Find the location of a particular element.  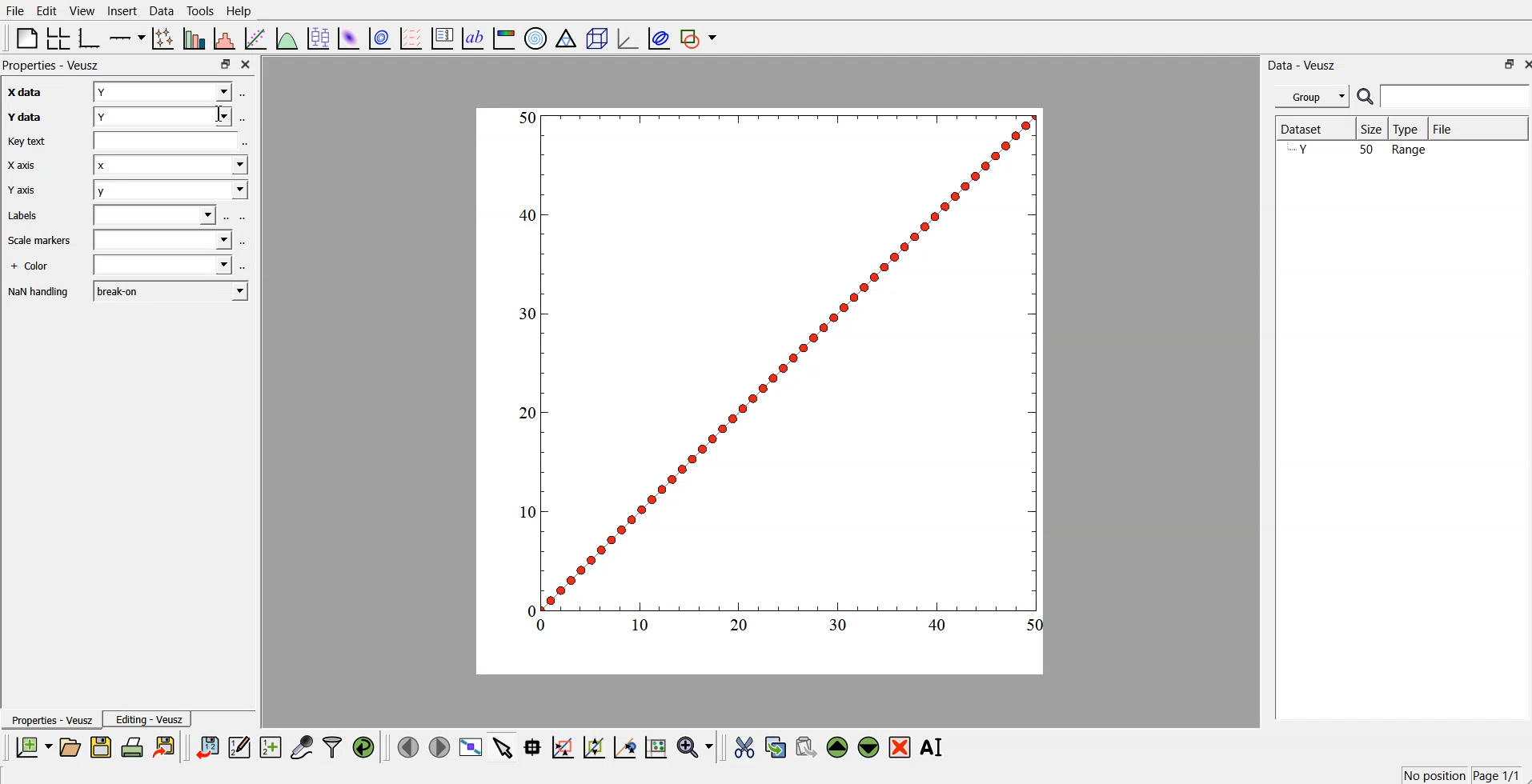

minimise is located at coordinates (1504, 64).